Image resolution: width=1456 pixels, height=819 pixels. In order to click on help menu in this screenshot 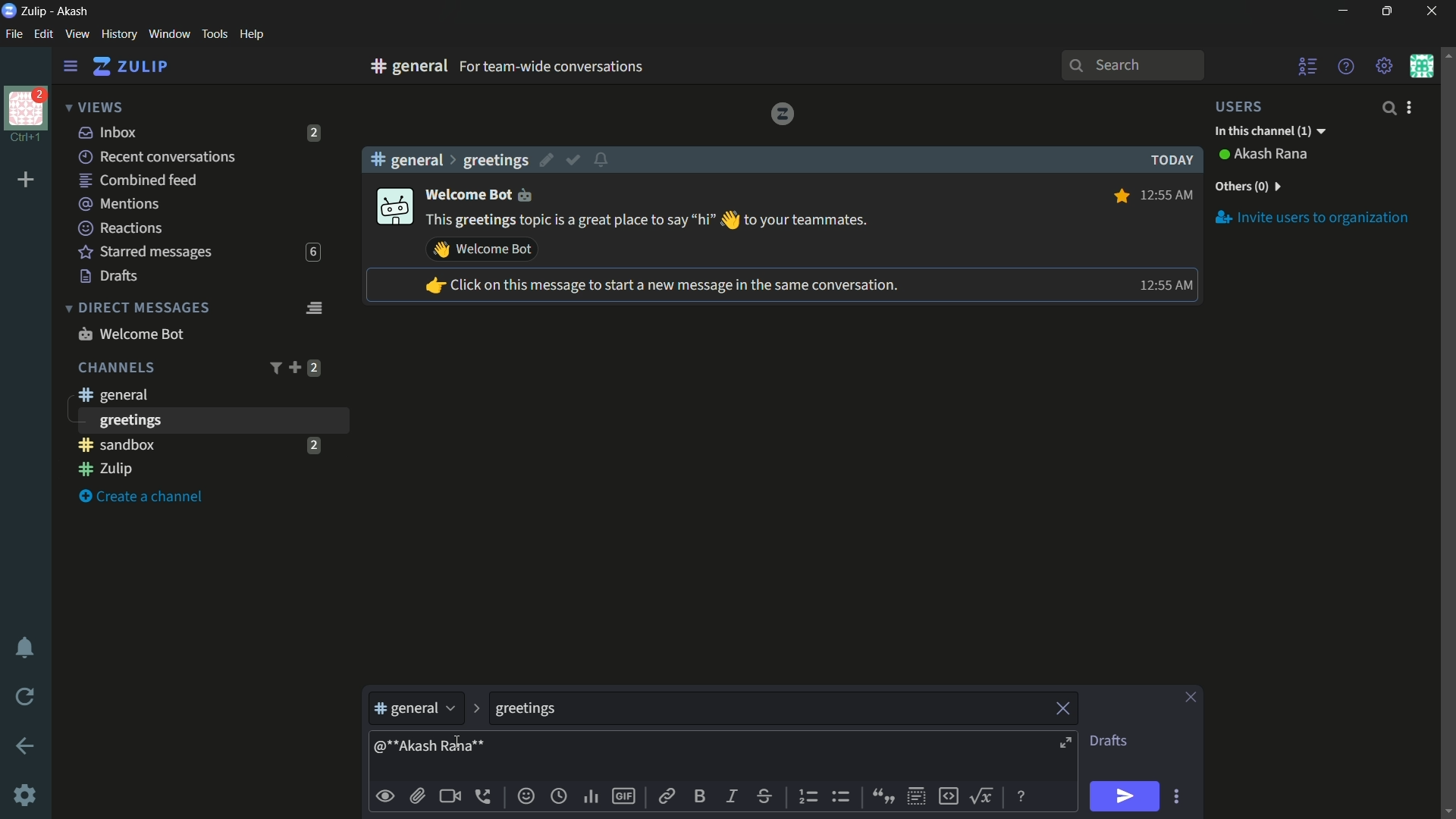, I will do `click(251, 35)`.